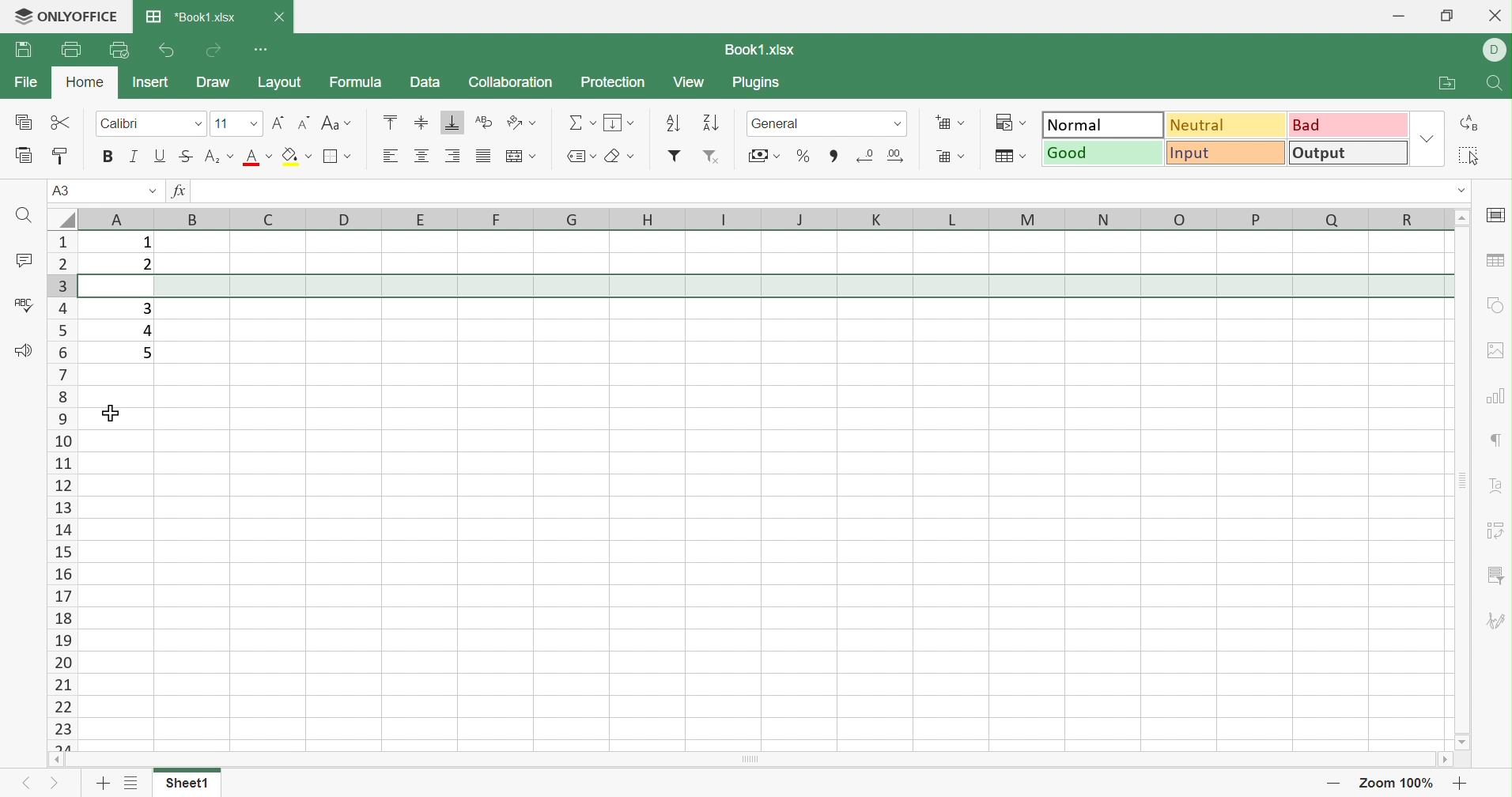 This screenshot has height=797, width=1512. What do you see at coordinates (1497, 83) in the screenshot?
I see `Find` at bounding box center [1497, 83].